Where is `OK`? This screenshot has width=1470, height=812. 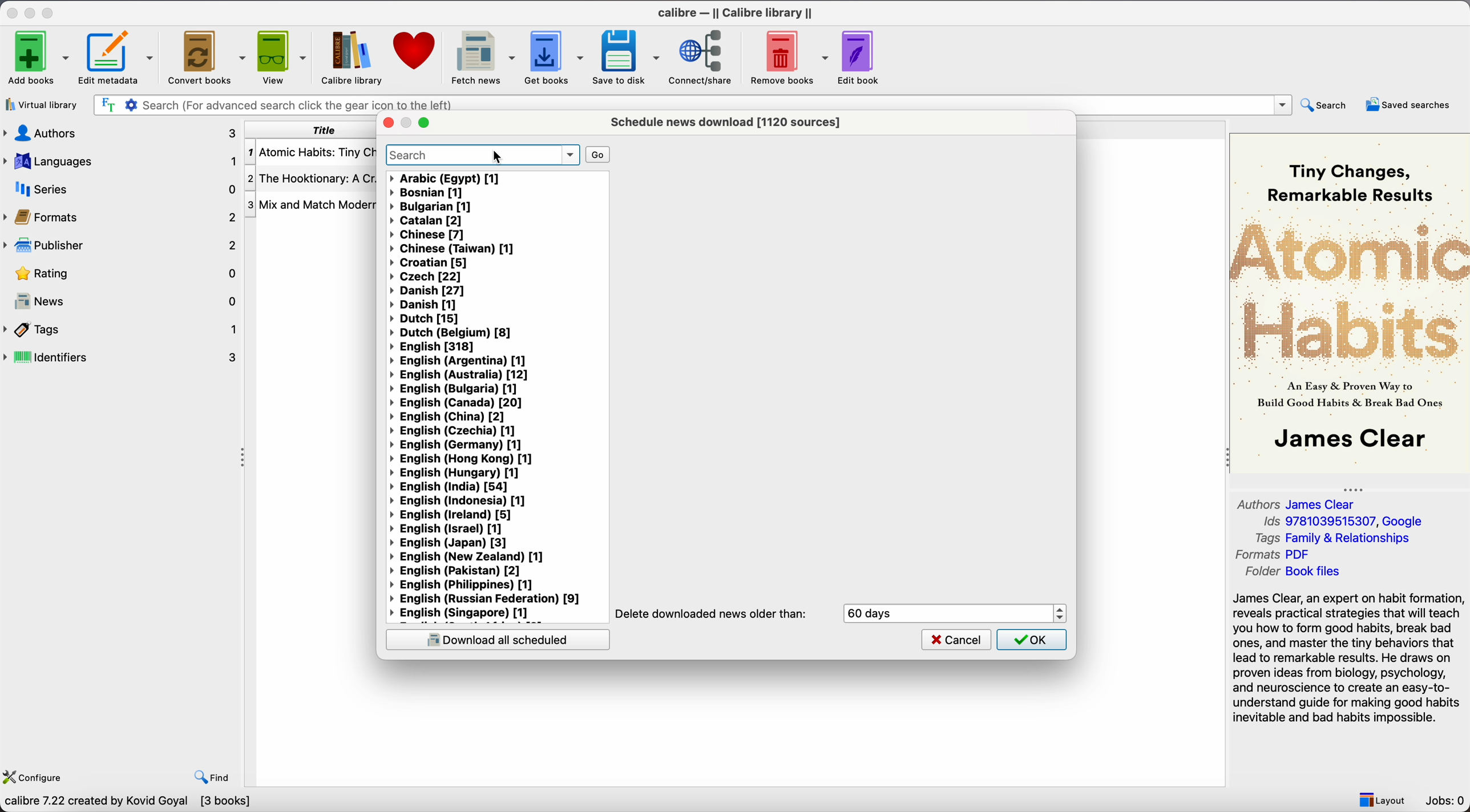
OK is located at coordinates (1032, 640).